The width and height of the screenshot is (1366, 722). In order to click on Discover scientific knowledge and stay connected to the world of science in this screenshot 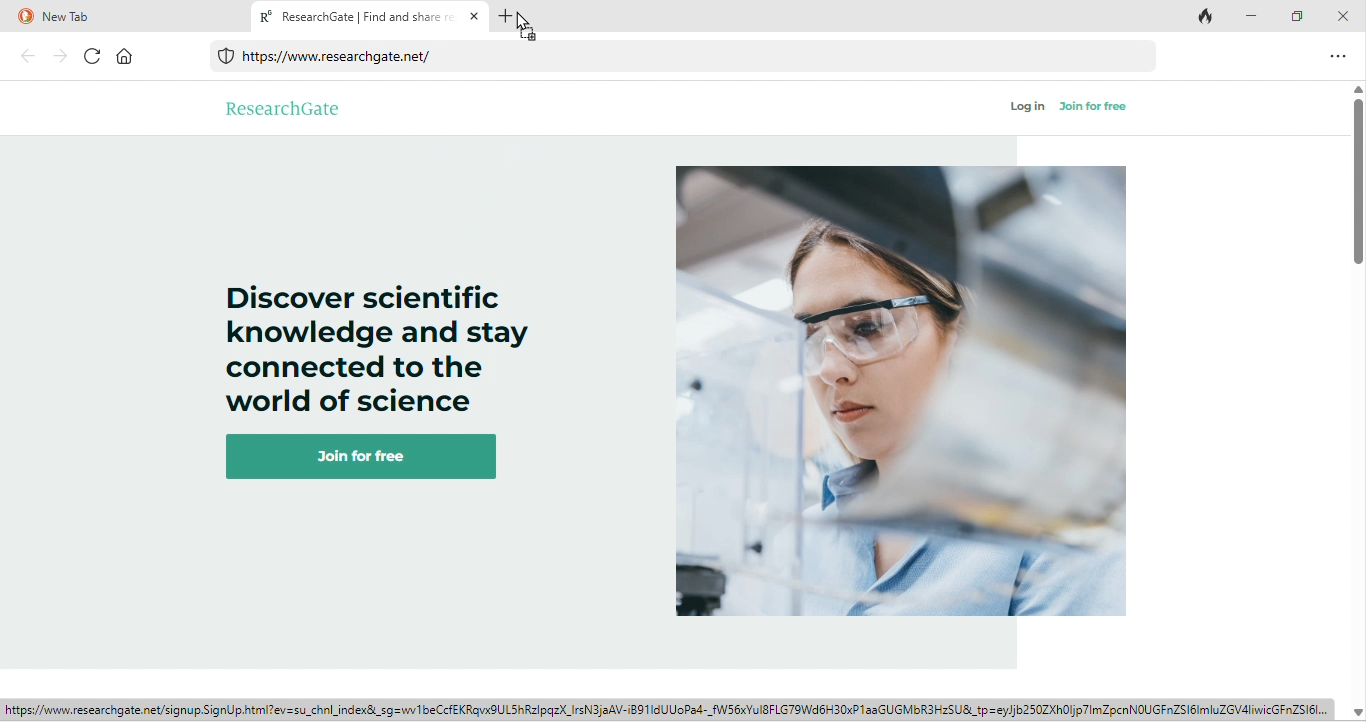, I will do `click(377, 337)`.